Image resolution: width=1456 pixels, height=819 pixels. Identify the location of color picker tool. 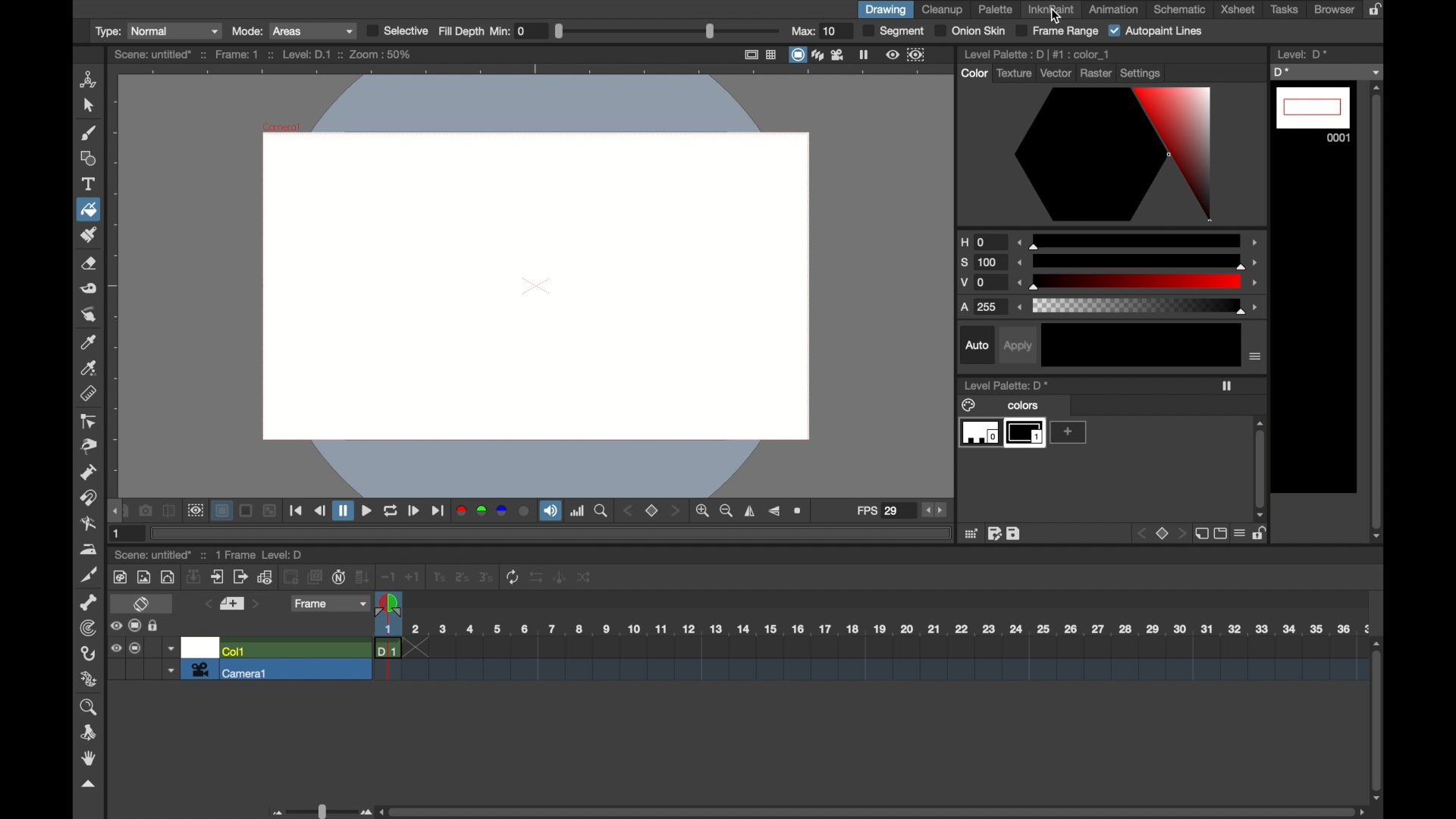
(88, 343).